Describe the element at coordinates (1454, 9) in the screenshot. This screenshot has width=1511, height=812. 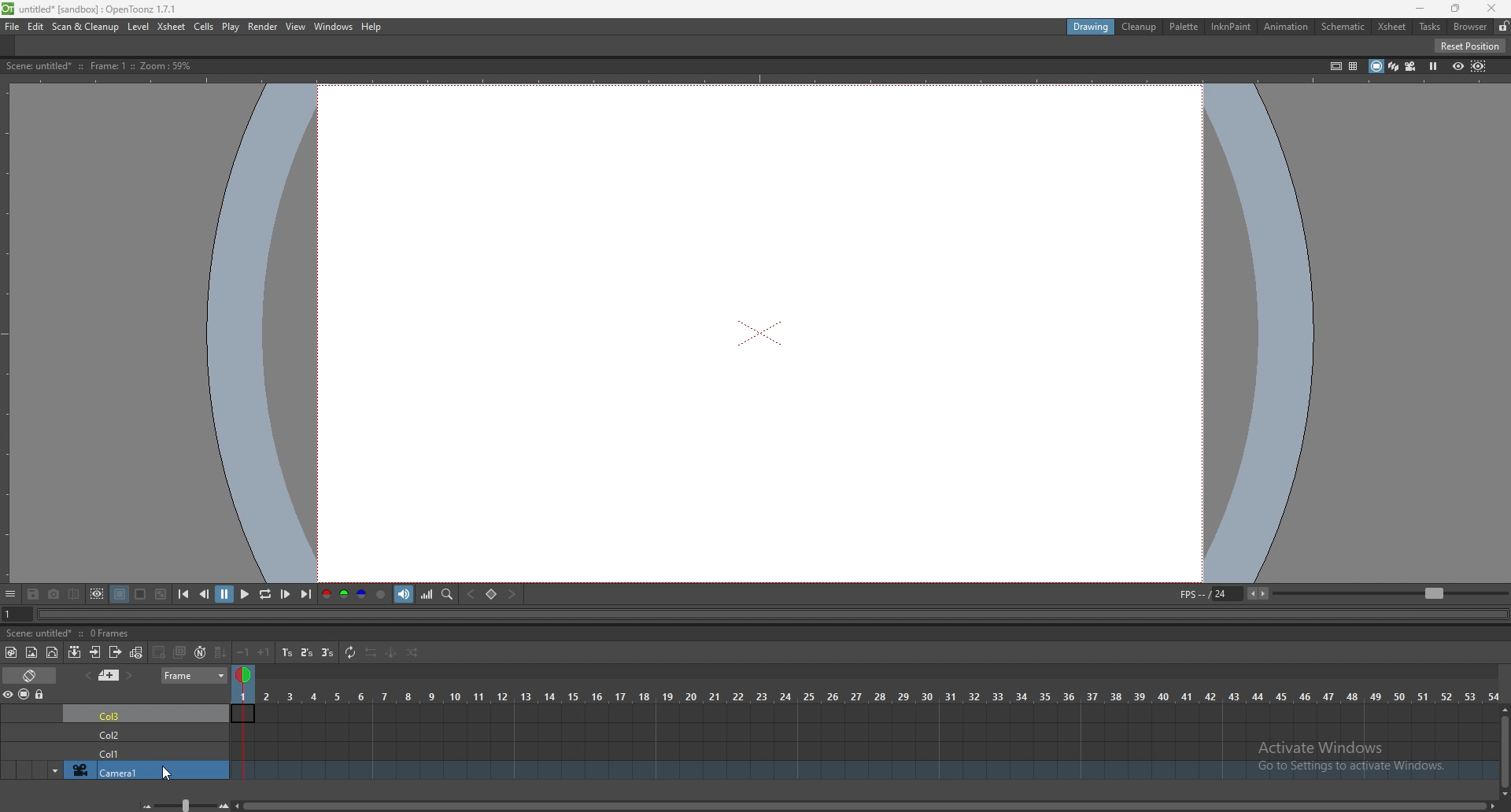
I see `resize` at that location.